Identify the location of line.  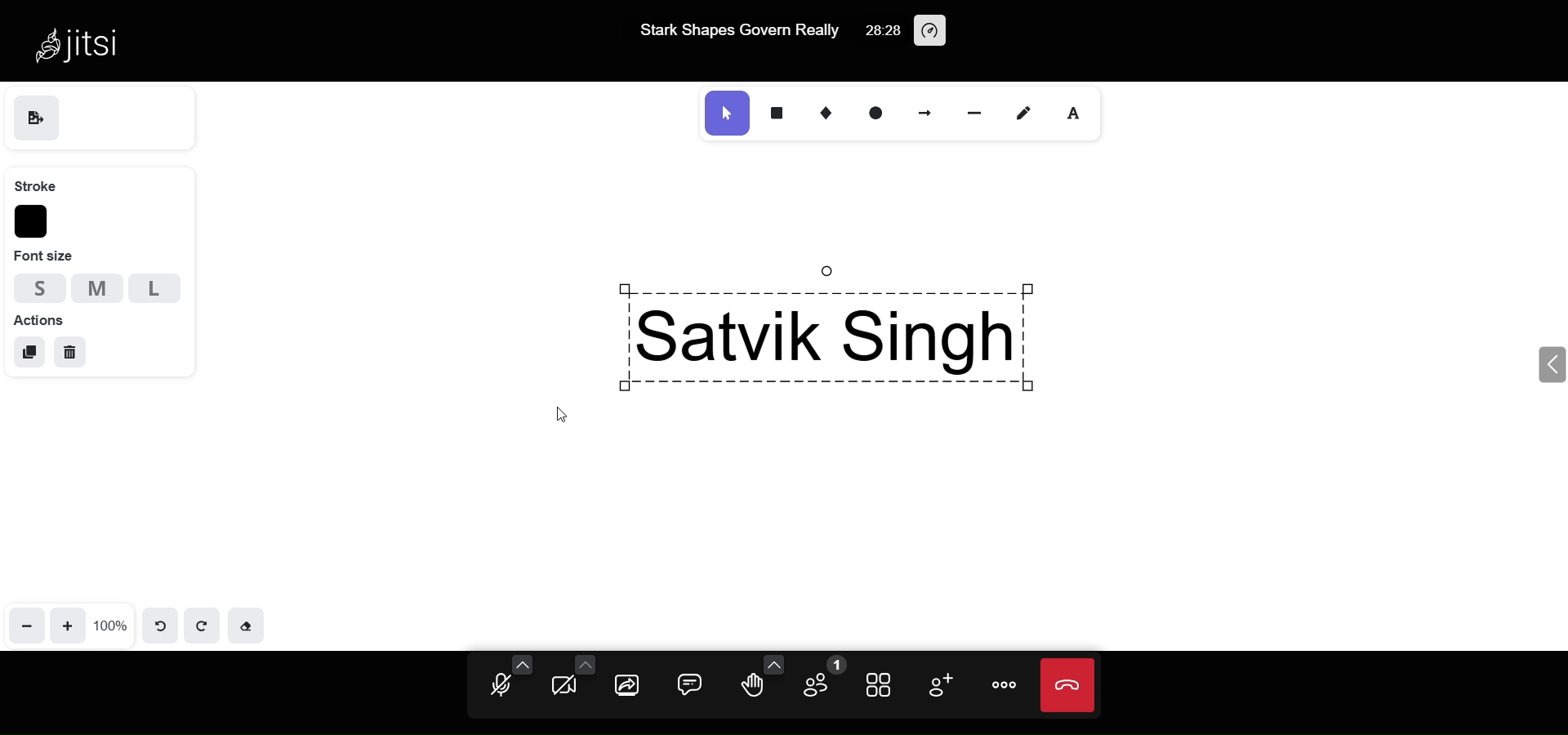
(972, 111).